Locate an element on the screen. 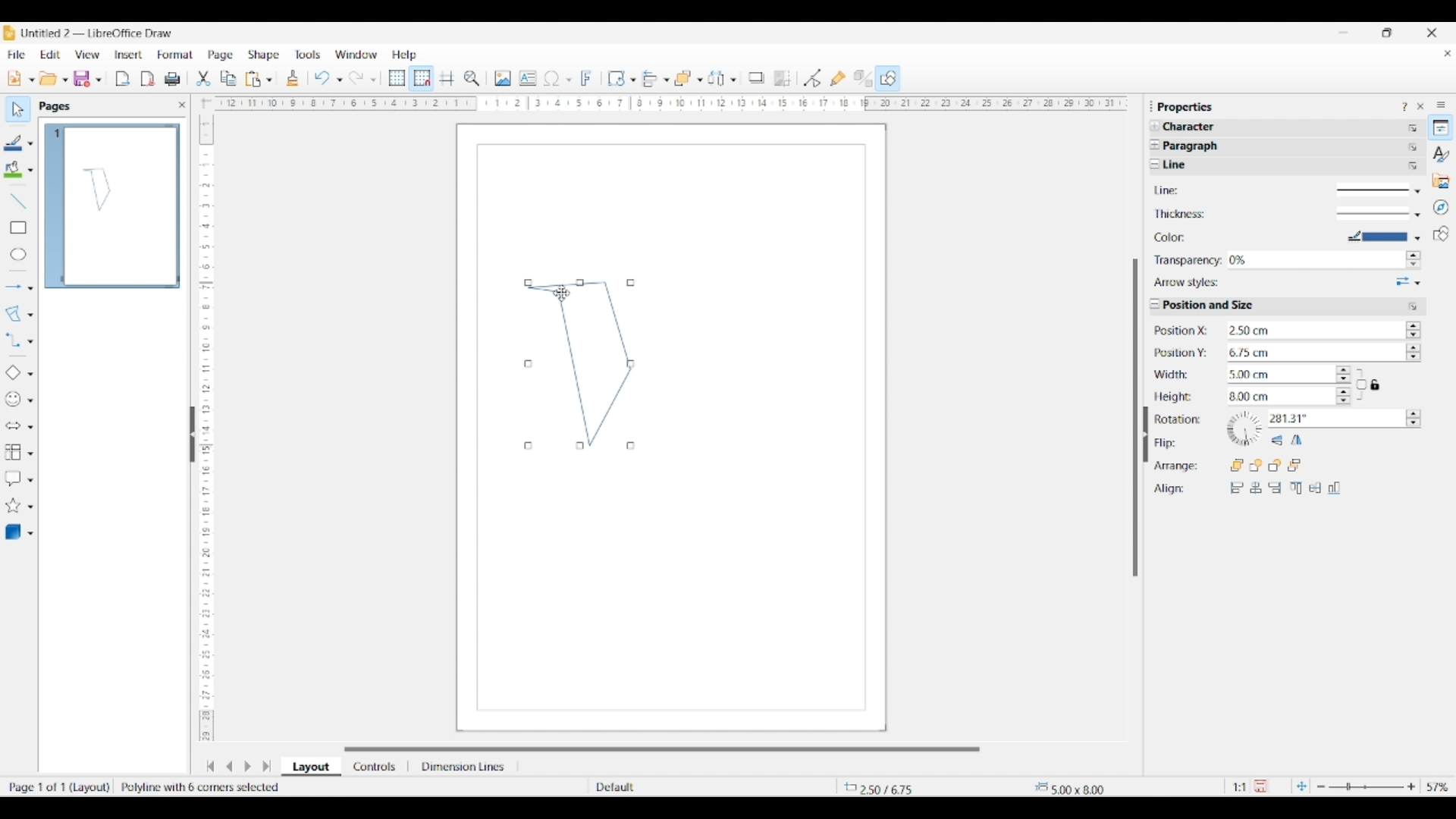 Image resolution: width=1456 pixels, height=819 pixels. Shapes is located at coordinates (1441, 234).